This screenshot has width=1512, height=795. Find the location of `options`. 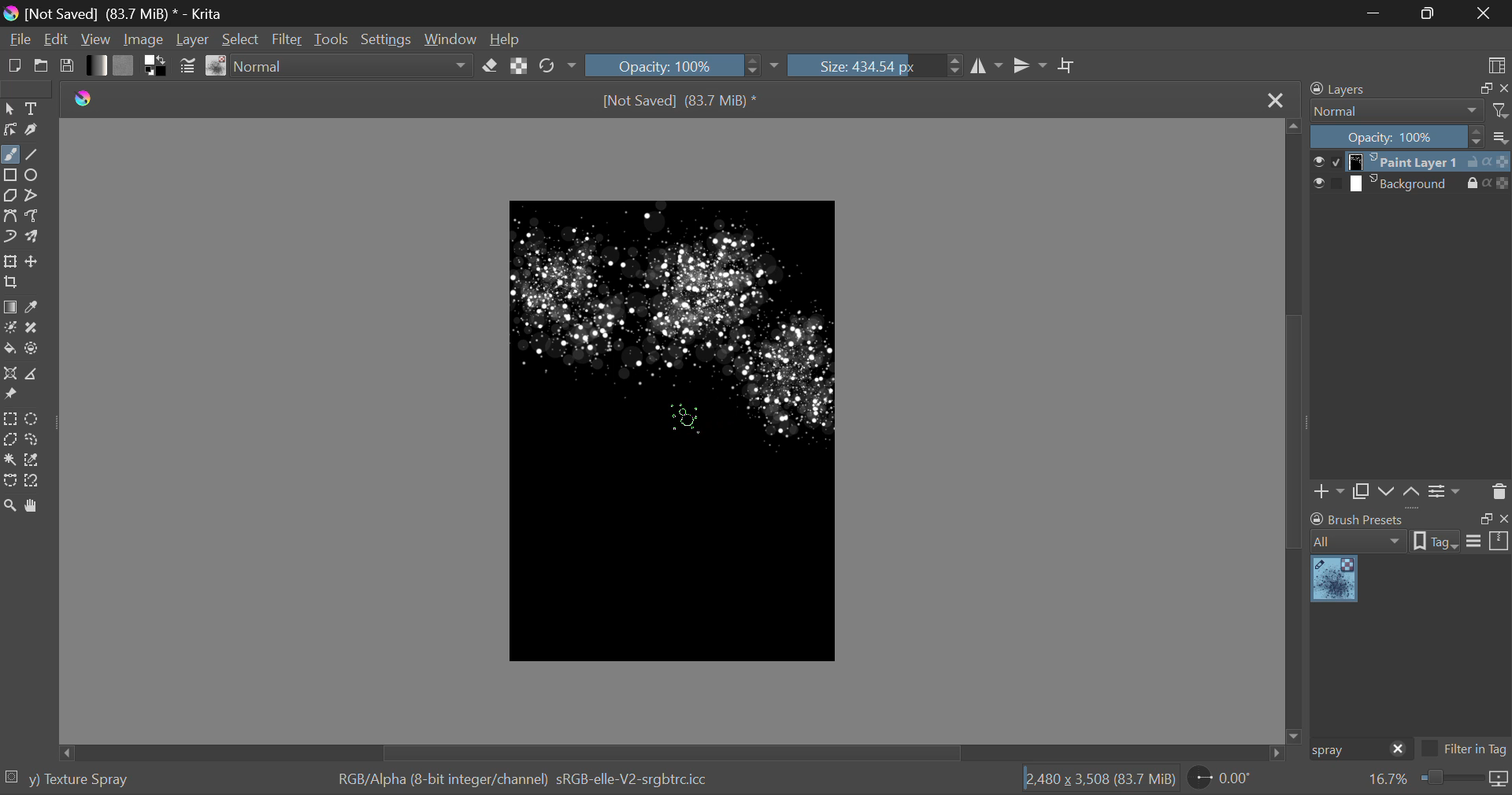

options is located at coordinates (1488, 540).